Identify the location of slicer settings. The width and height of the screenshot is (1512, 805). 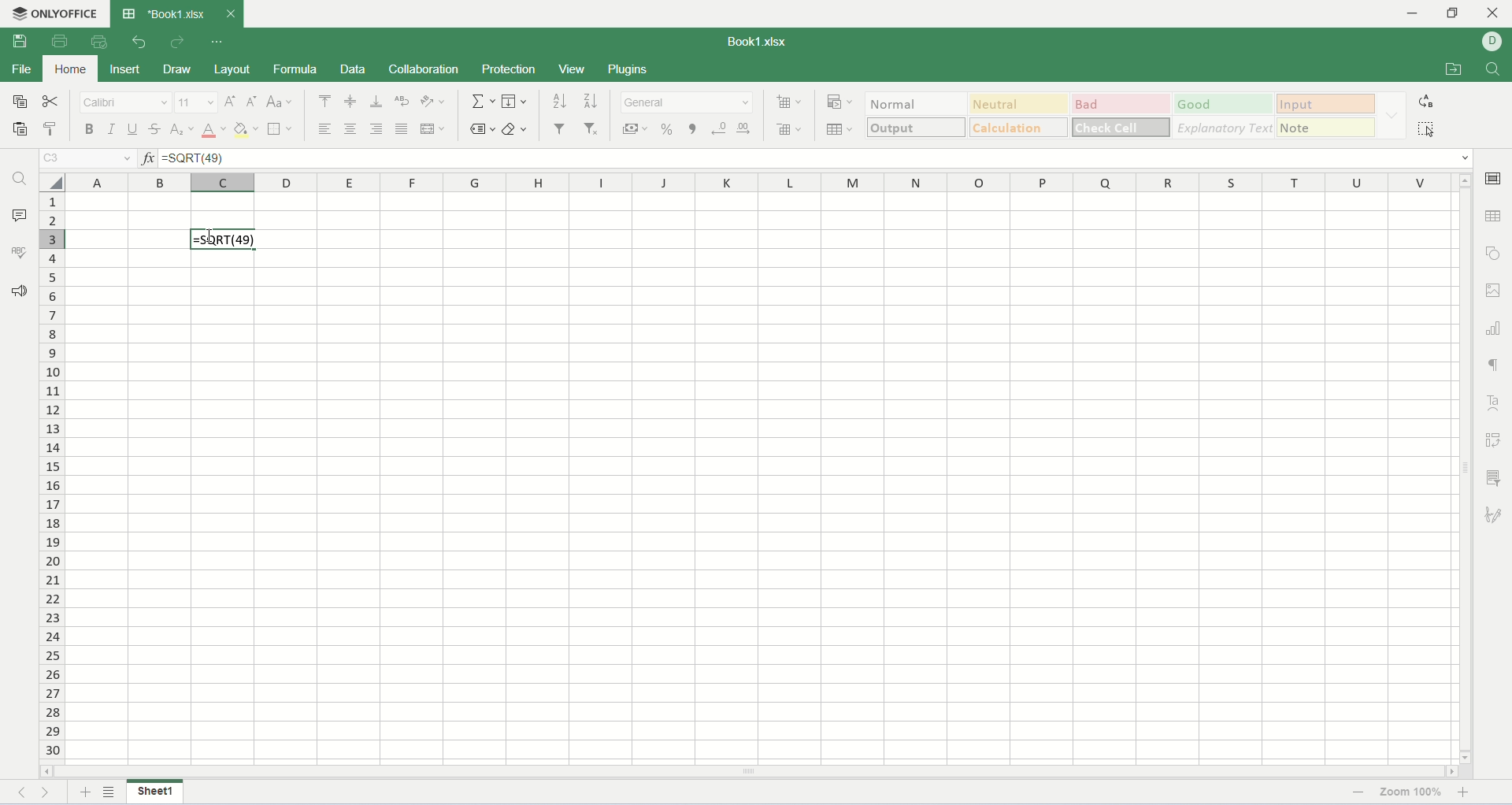
(1496, 477).